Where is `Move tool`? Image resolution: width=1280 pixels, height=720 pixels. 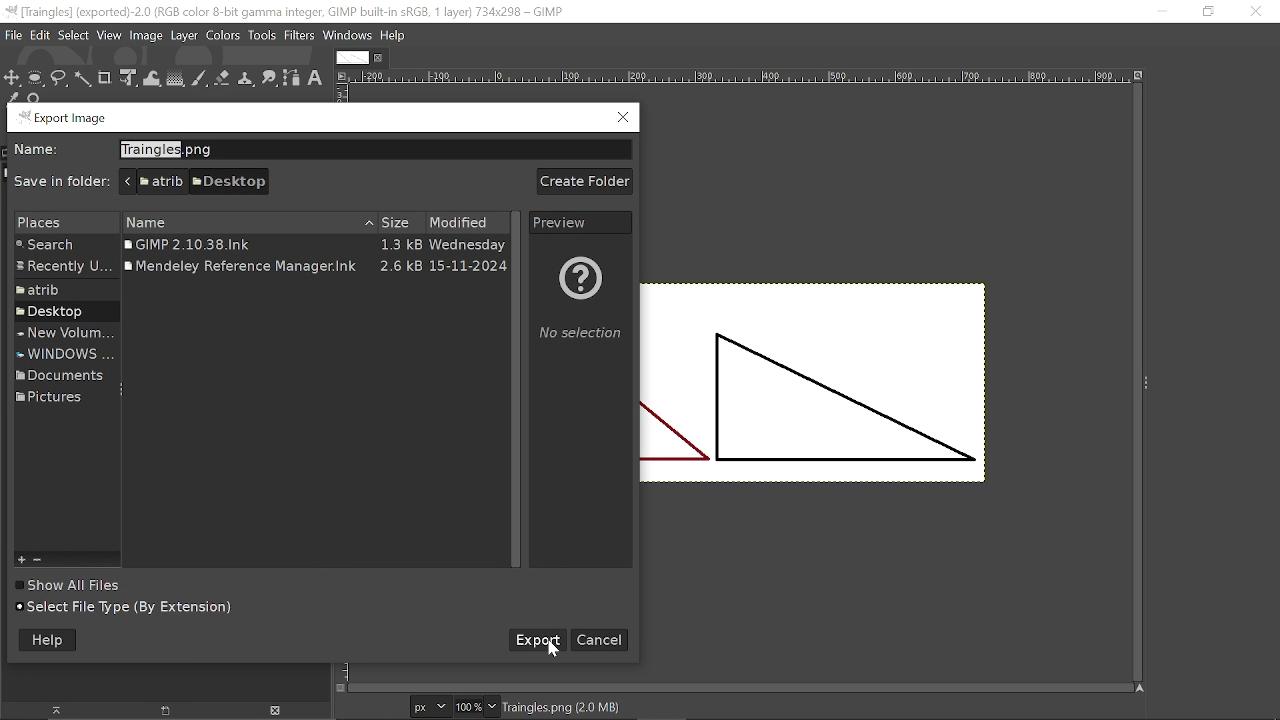 Move tool is located at coordinates (13, 80).